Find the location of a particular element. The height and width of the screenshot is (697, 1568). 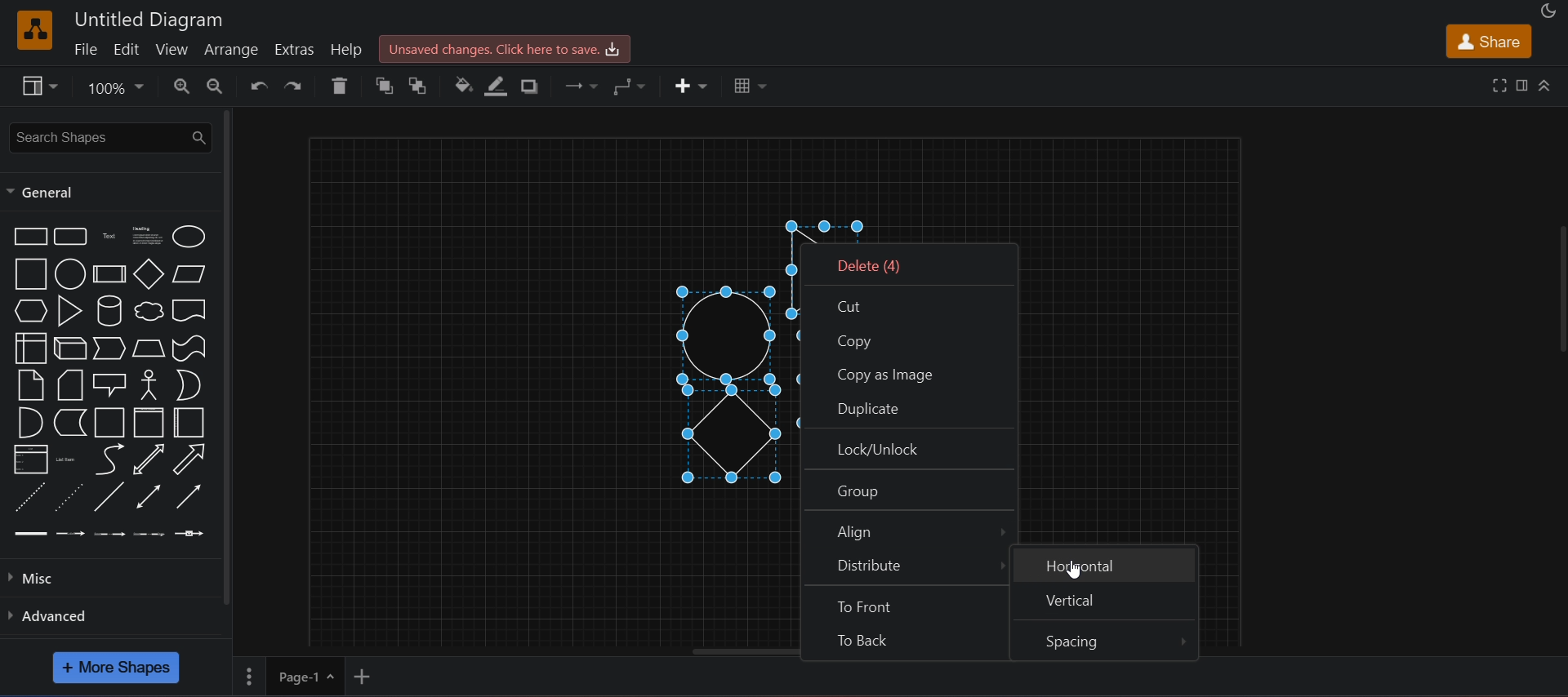

shadow is located at coordinates (534, 87).